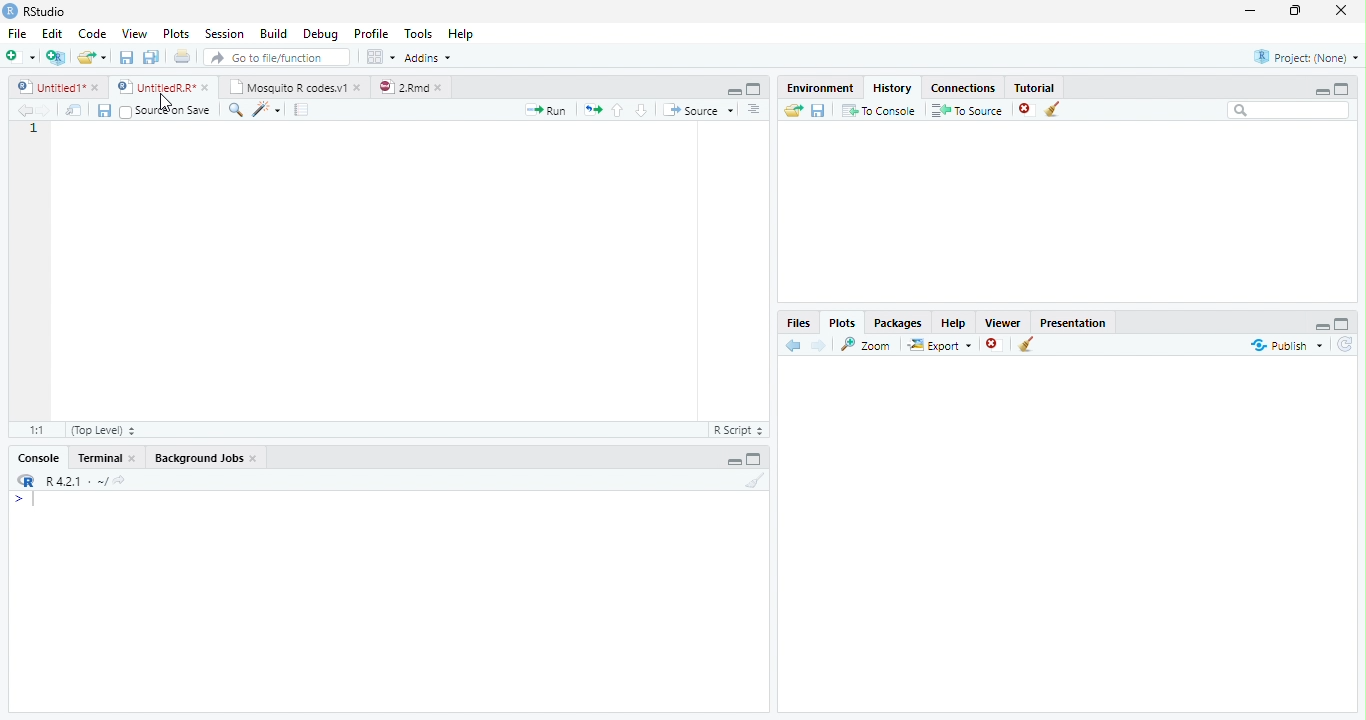  What do you see at coordinates (899, 322) in the screenshot?
I see `Packages` at bounding box center [899, 322].